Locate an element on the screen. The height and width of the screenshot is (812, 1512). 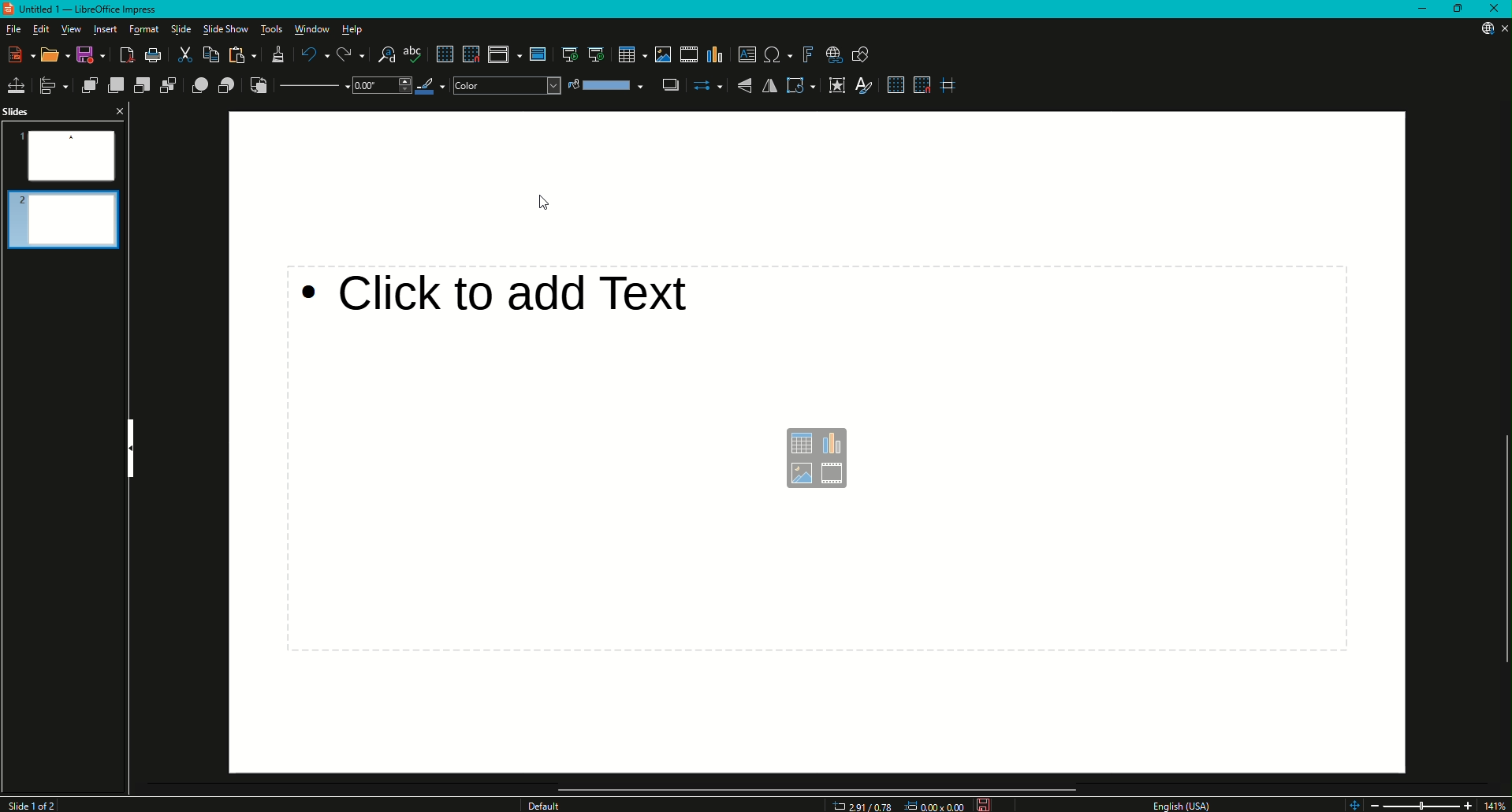
Cut is located at coordinates (181, 55).